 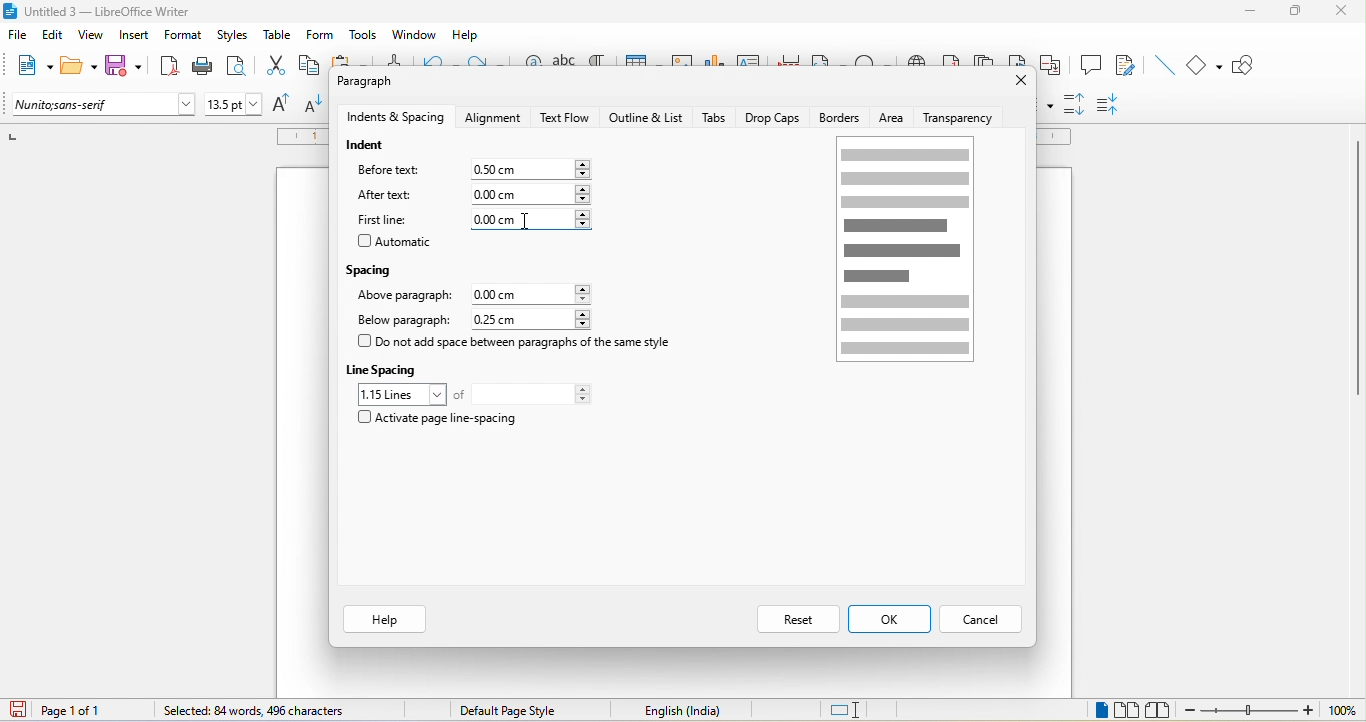 What do you see at coordinates (404, 297) in the screenshot?
I see `above paragraph` at bounding box center [404, 297].